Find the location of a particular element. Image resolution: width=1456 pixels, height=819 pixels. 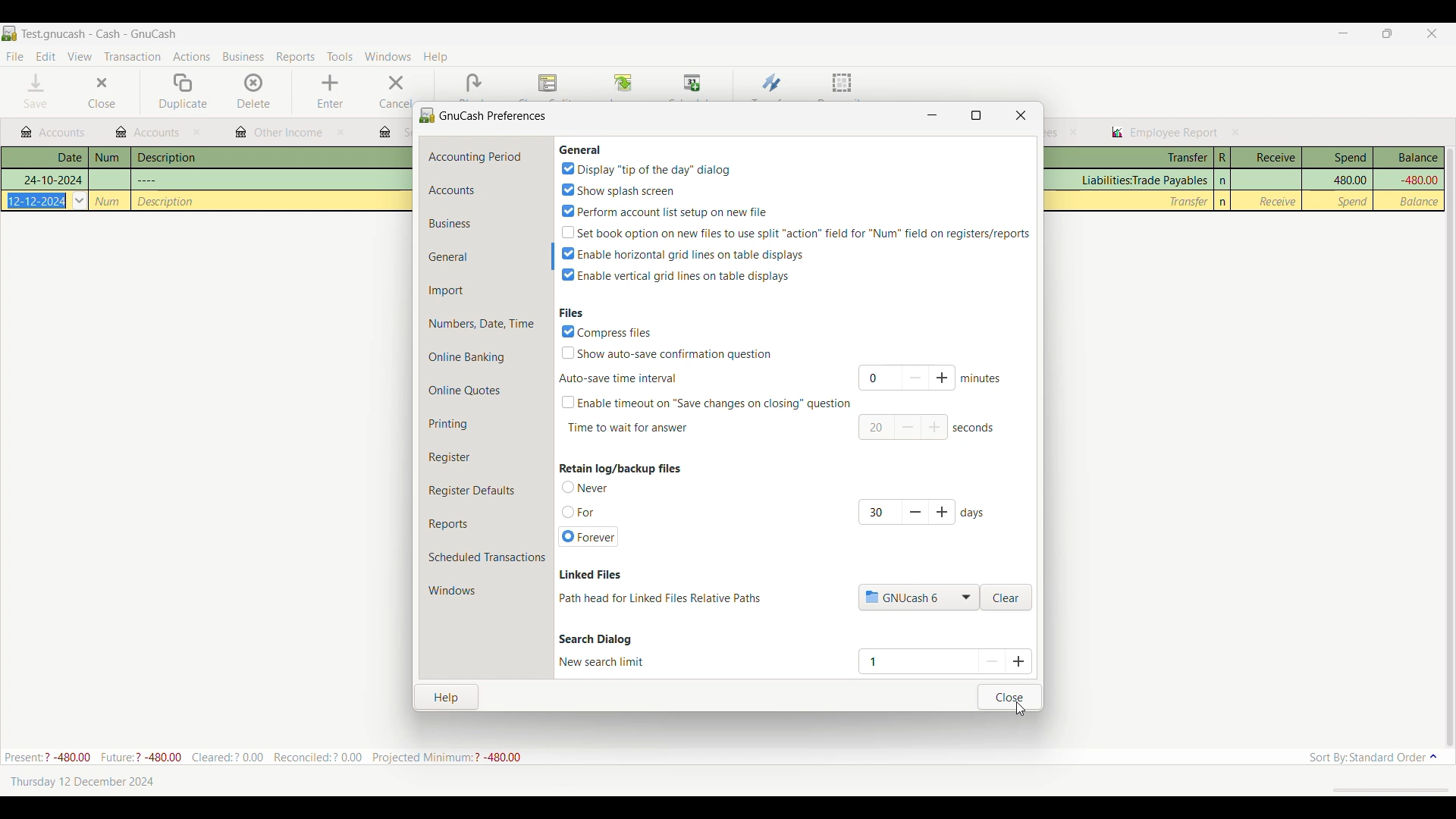

close is located at coordinates (1021, 114).